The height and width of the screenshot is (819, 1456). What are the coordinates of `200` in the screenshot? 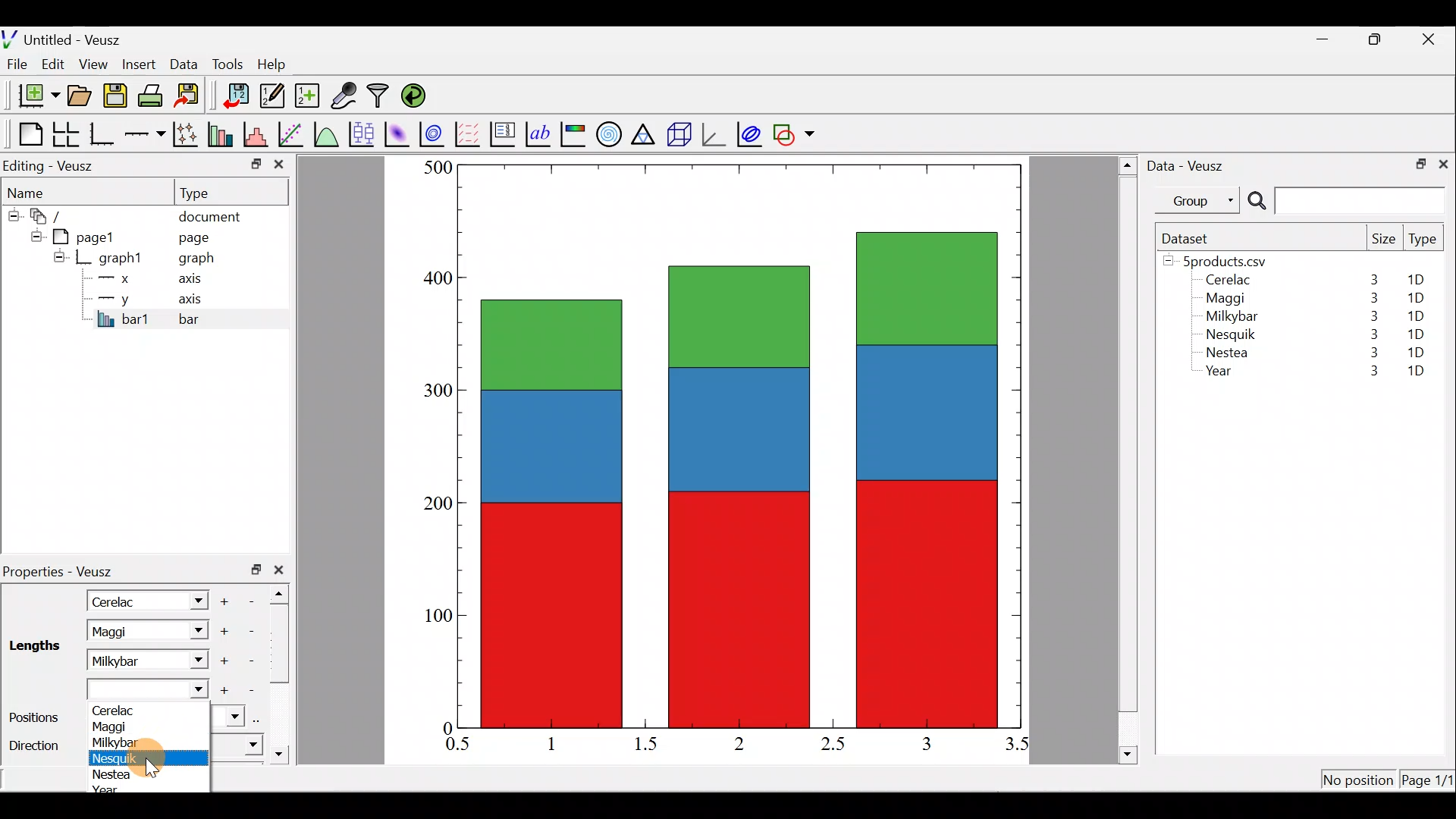 It's located at (438, 506).